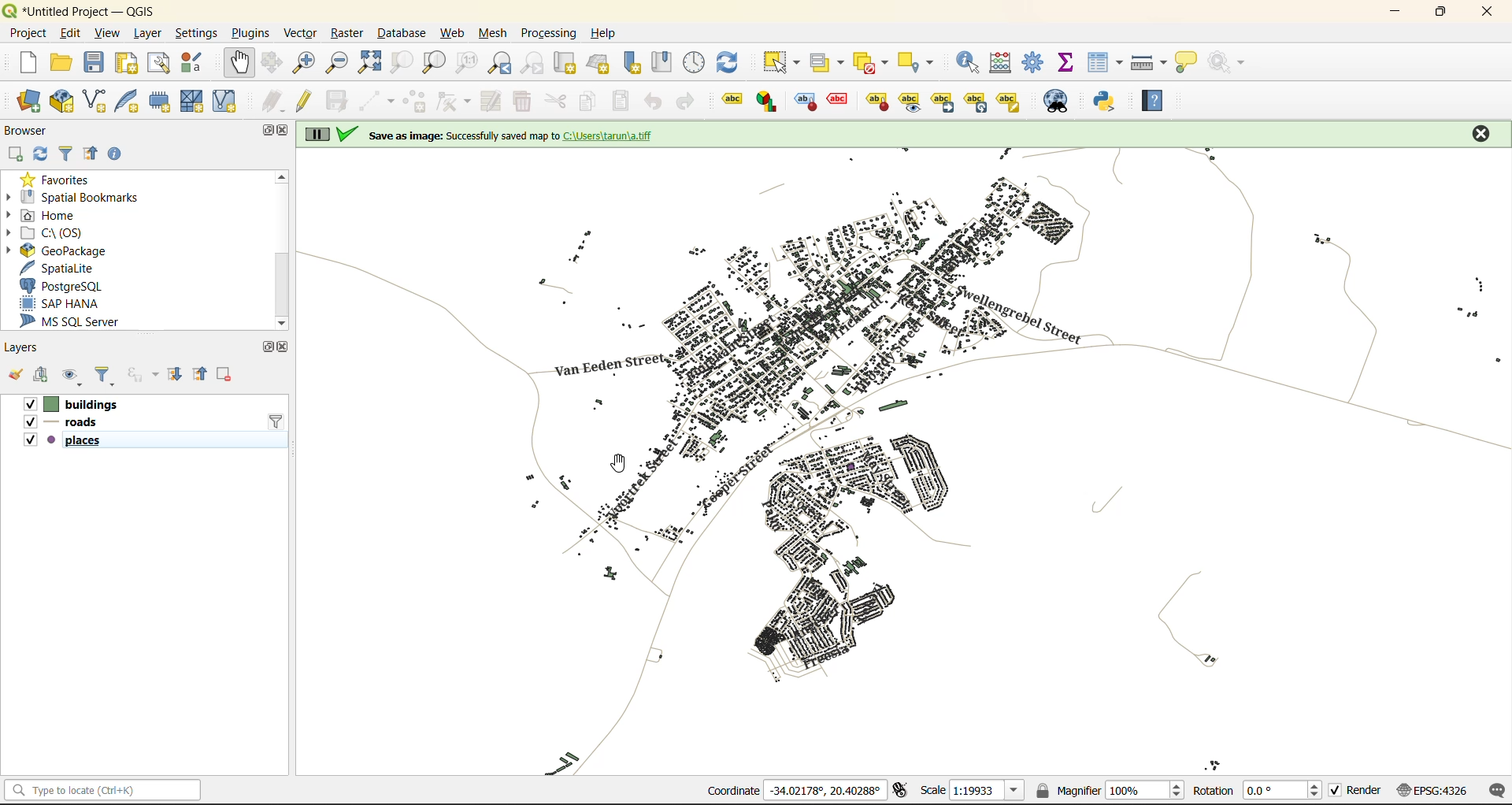 Image resolution: width=1512 pixels, height=805 pixels. What do you see at coordinates (282, 247) in the screenshot?
I see `vertical scroll bar` at bounding box center [282, 247].